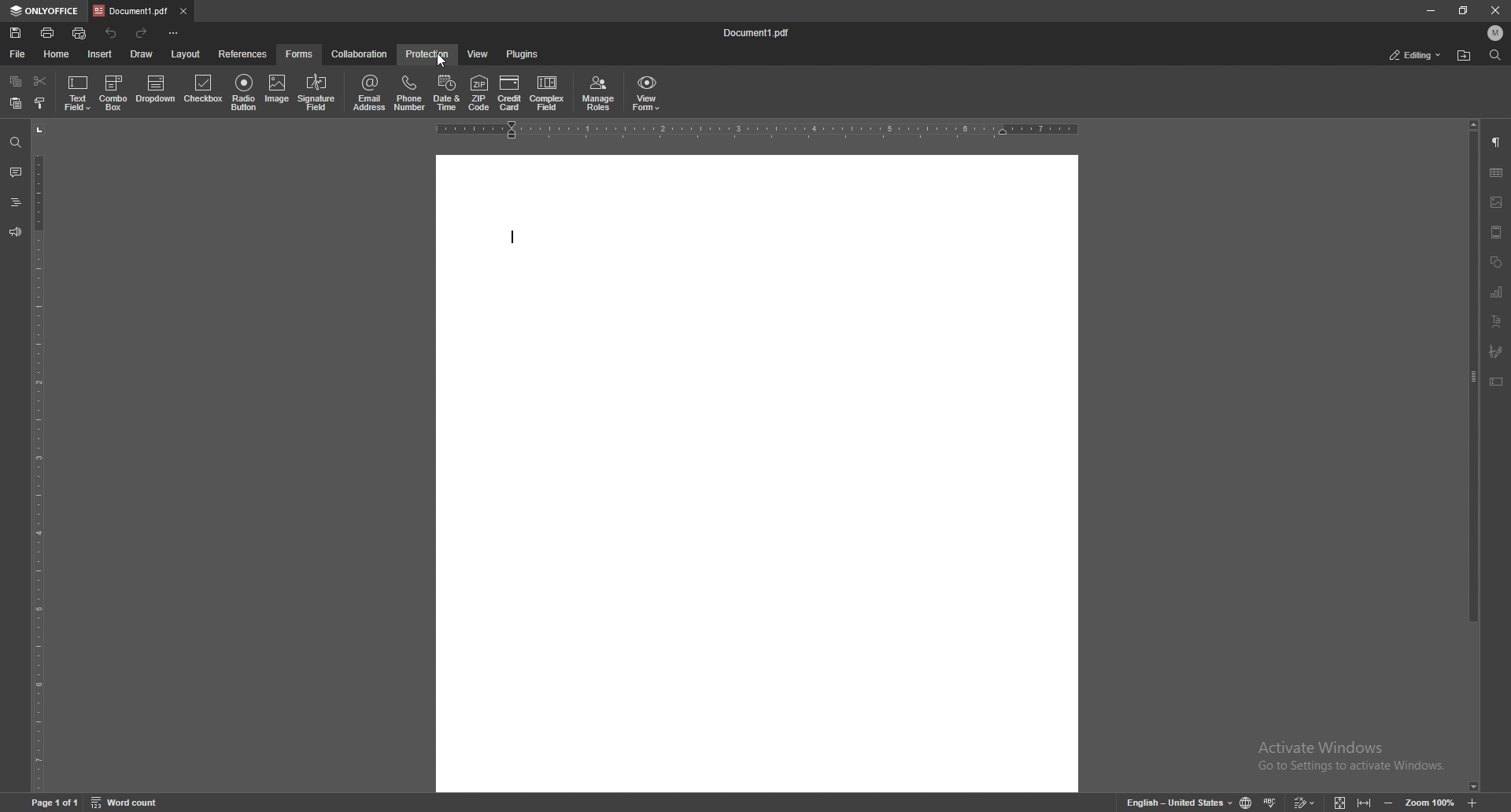 This screenshot has height=812, width=1511. I want to click on paragraph, so click(1495, 143).